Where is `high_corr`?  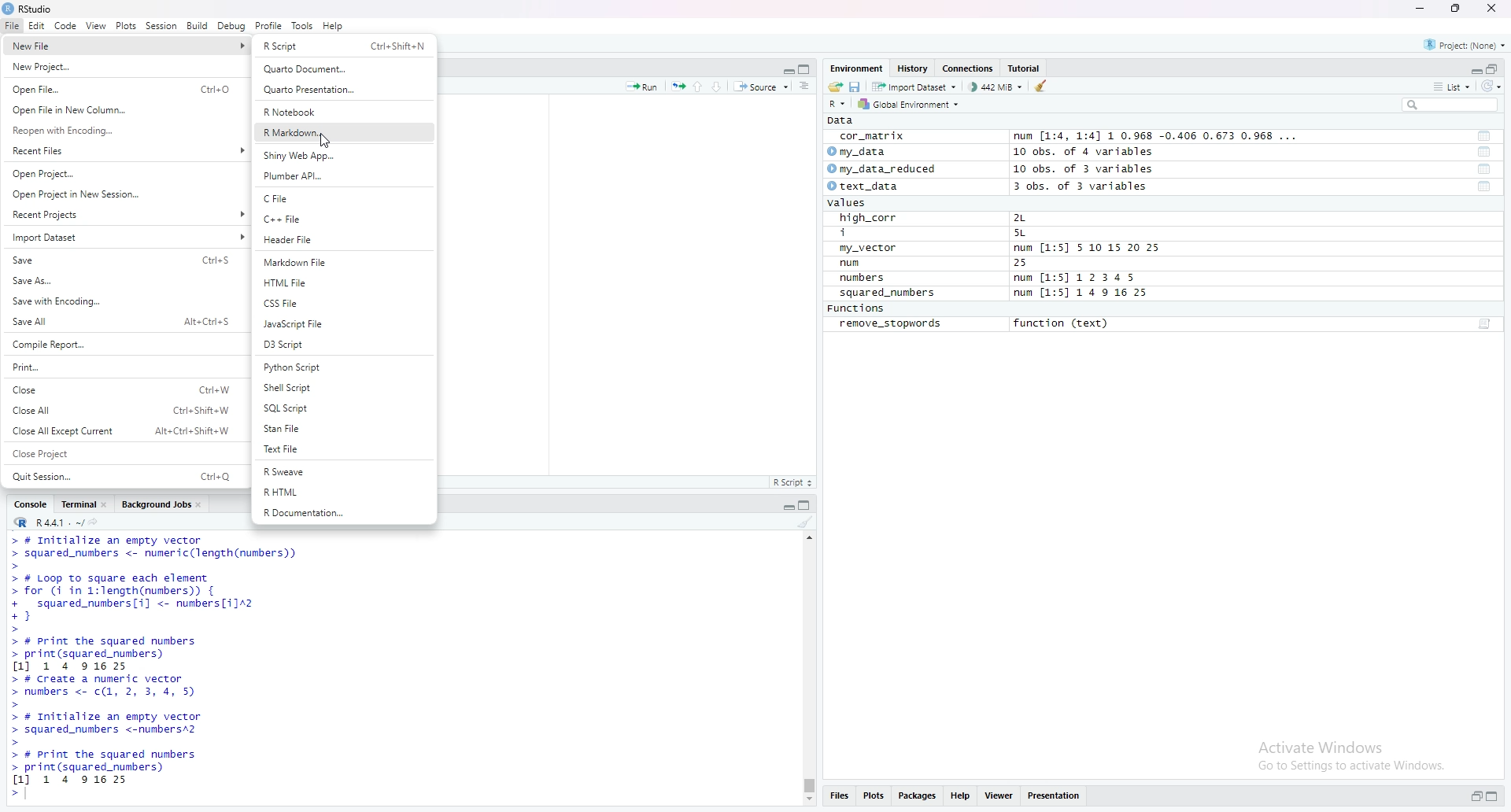 high_corr is located at coordinates (866, 217).